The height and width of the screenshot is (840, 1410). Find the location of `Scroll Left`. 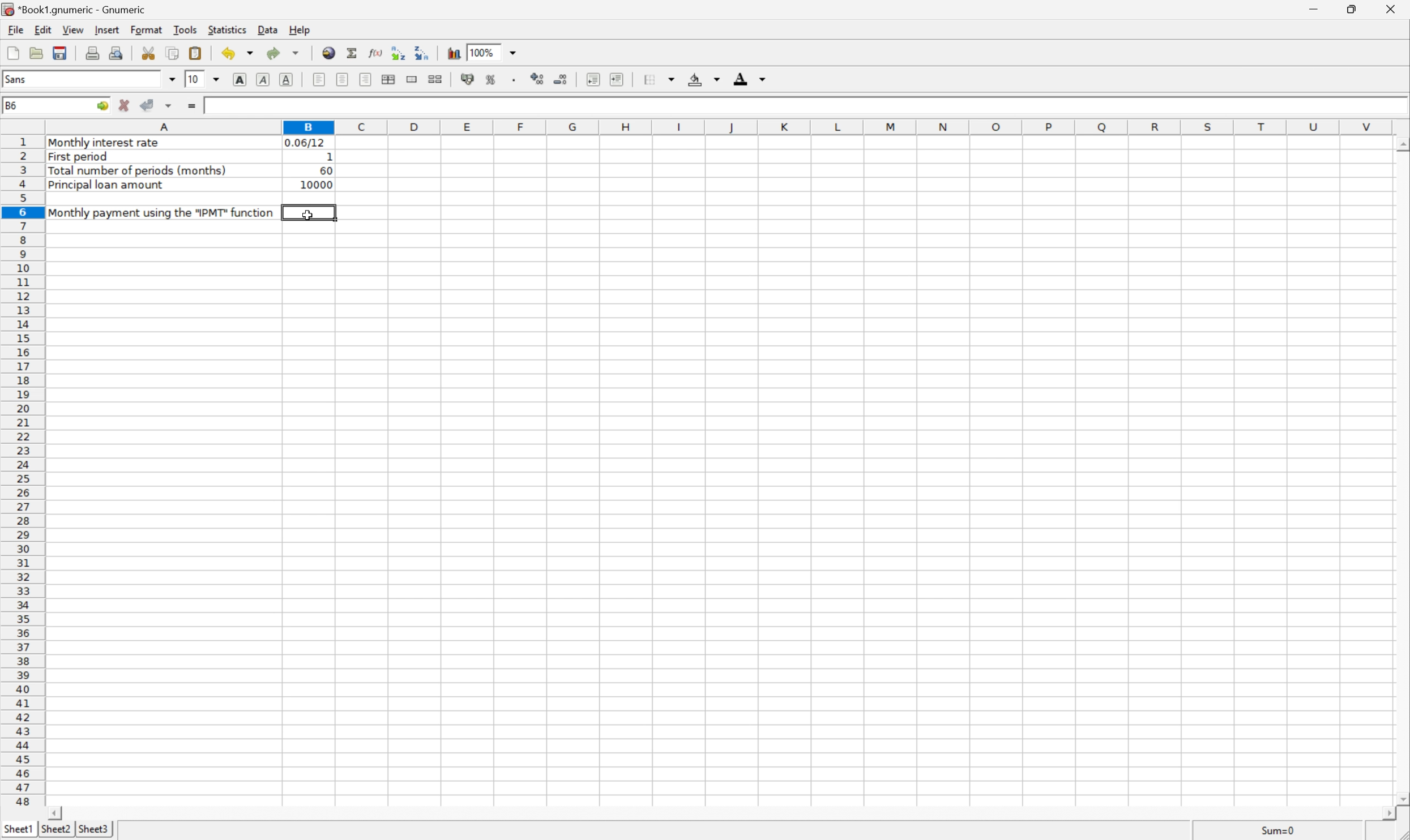

Scroll Left is located at coordinates (57, 812).